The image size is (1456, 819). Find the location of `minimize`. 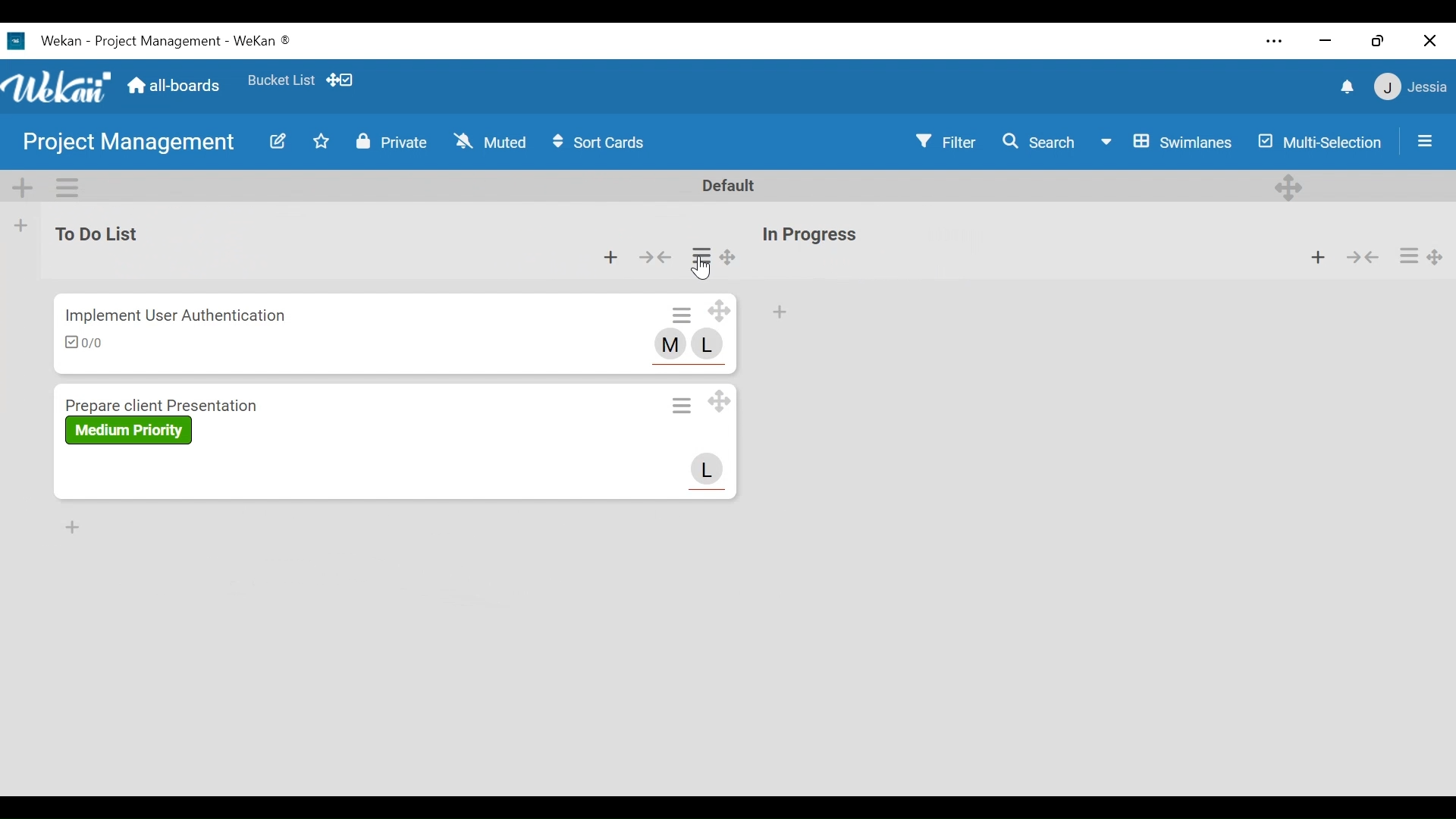

minimize is located at coordinates (1323, 42).